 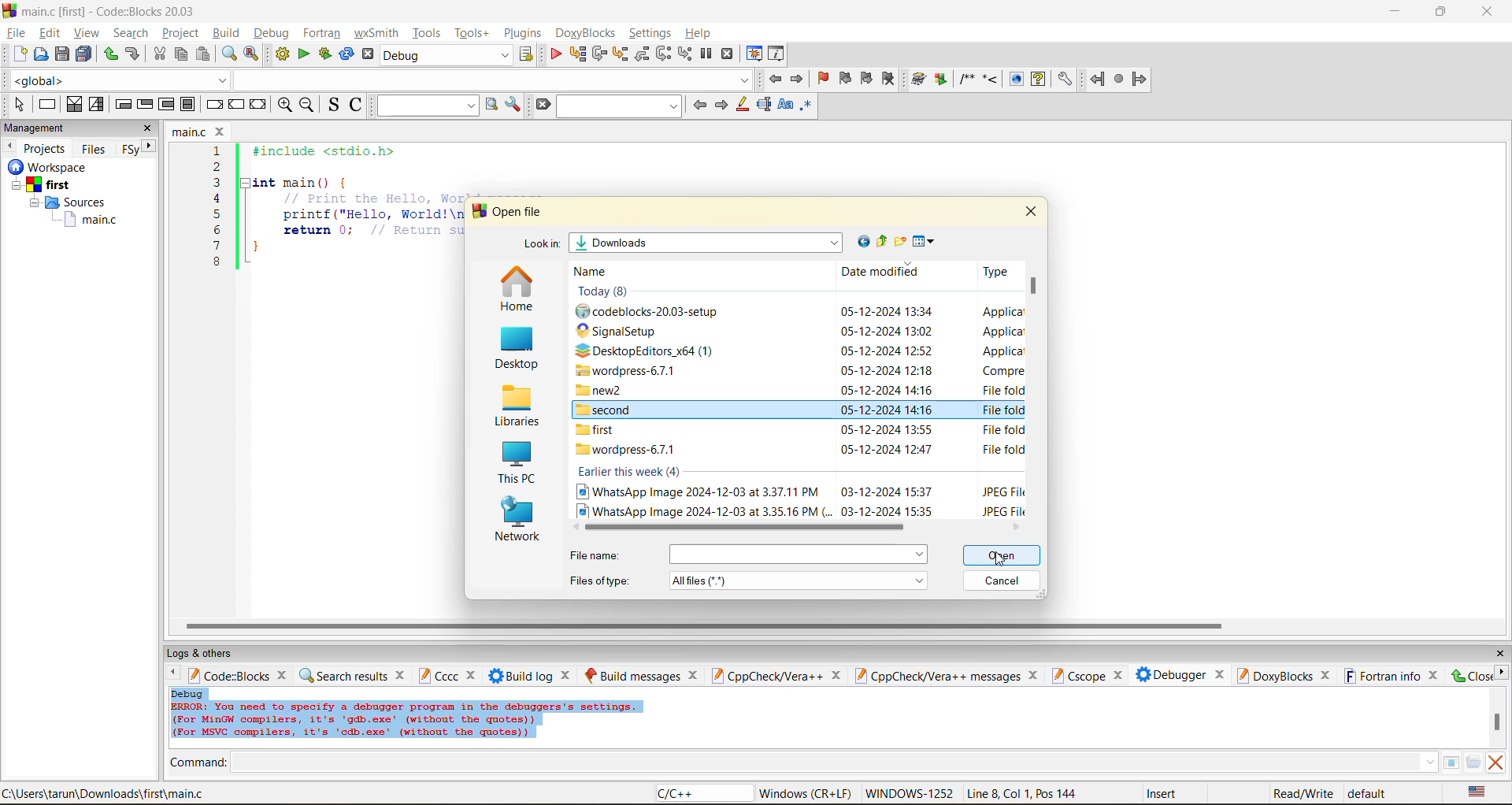 I want to click on name, so click(x=598, y=272).